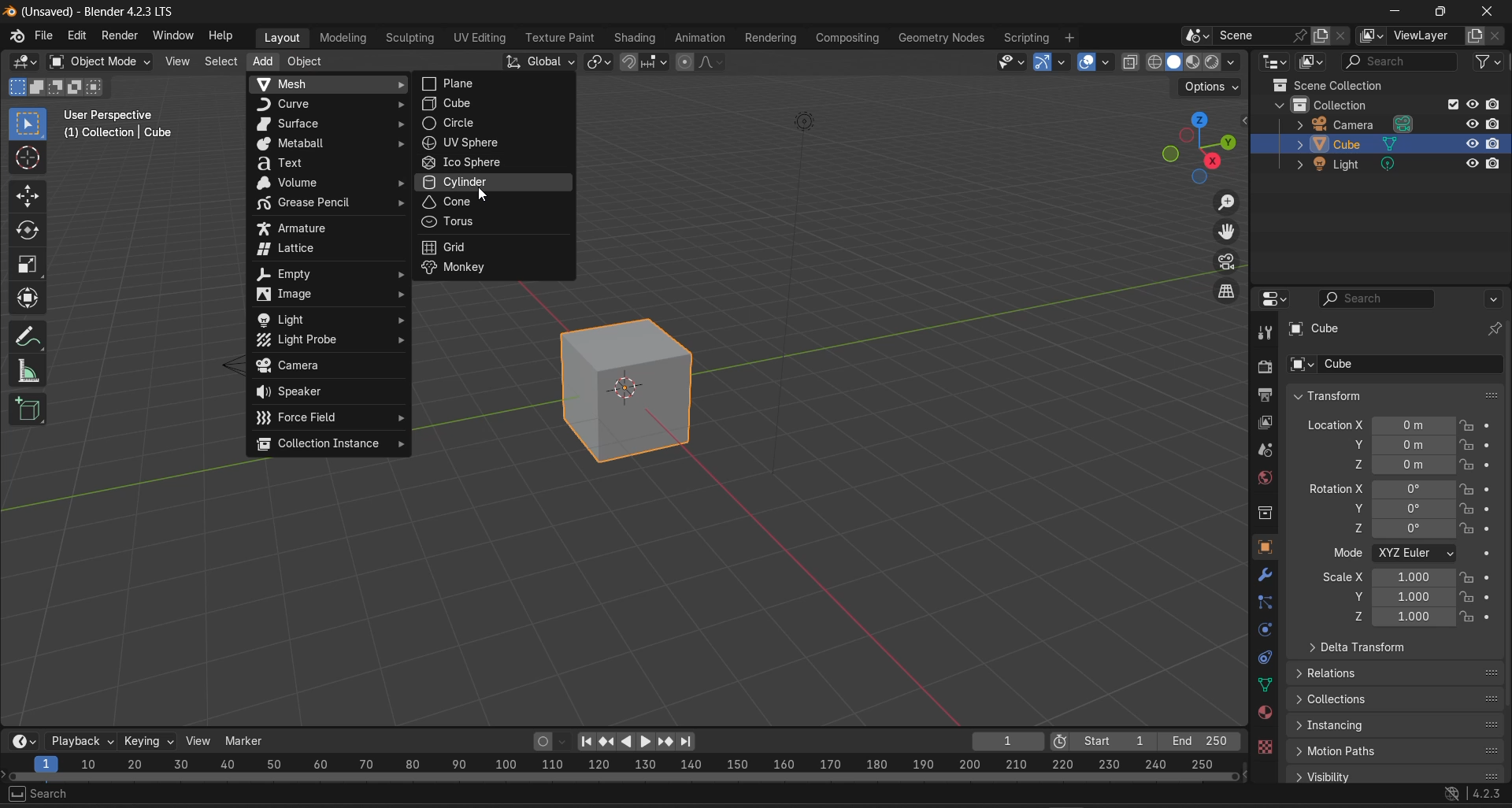 The image size is (1512, 808). What do you see at coordinates (346, 35) in the screenshot?
I see `modeling` at bounding box center [346, 35].